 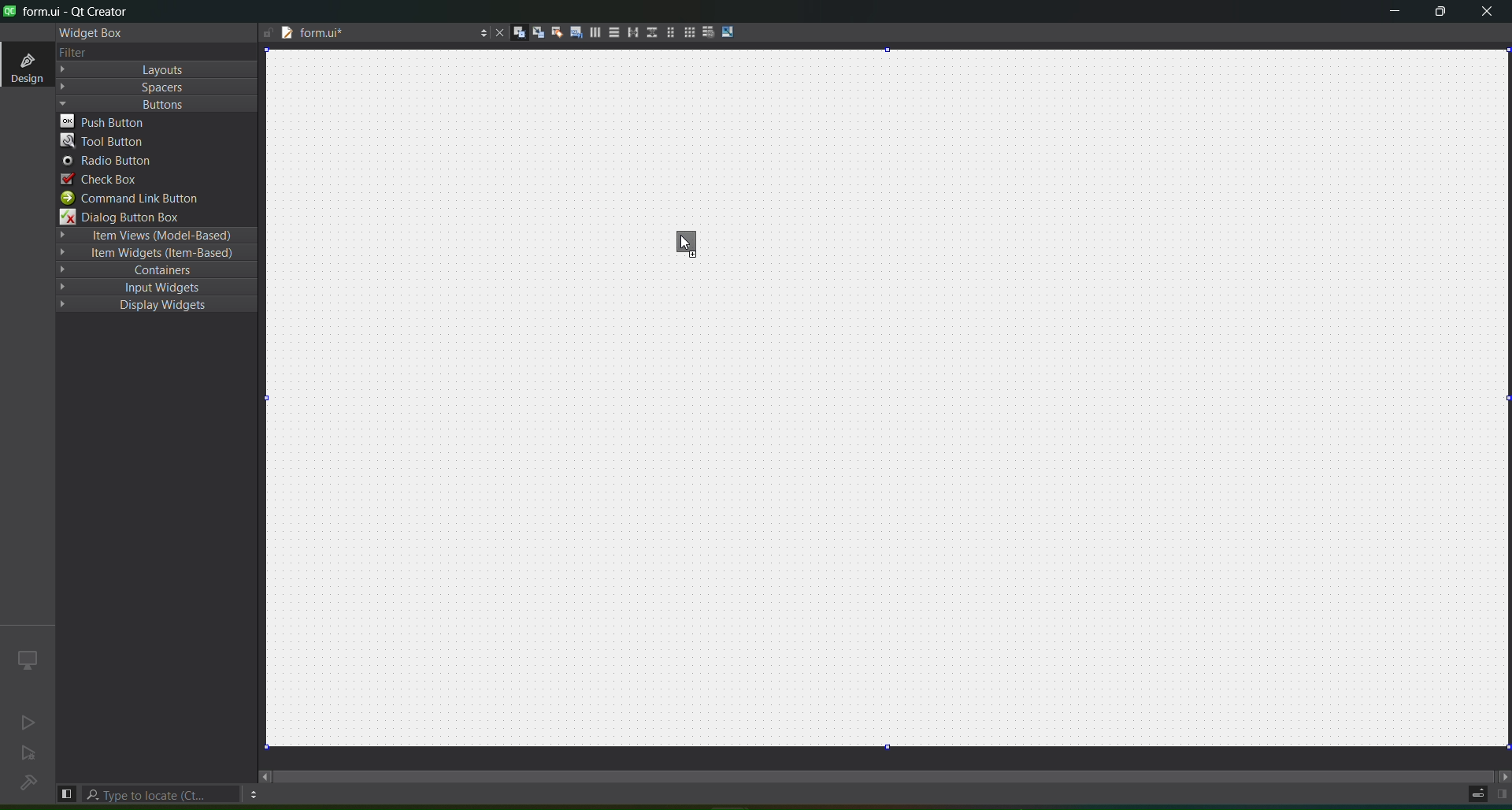 What do you see at coordinates (556, 31) in the screenshot?
I see `edit buddies` at bounding box center [556, 31].